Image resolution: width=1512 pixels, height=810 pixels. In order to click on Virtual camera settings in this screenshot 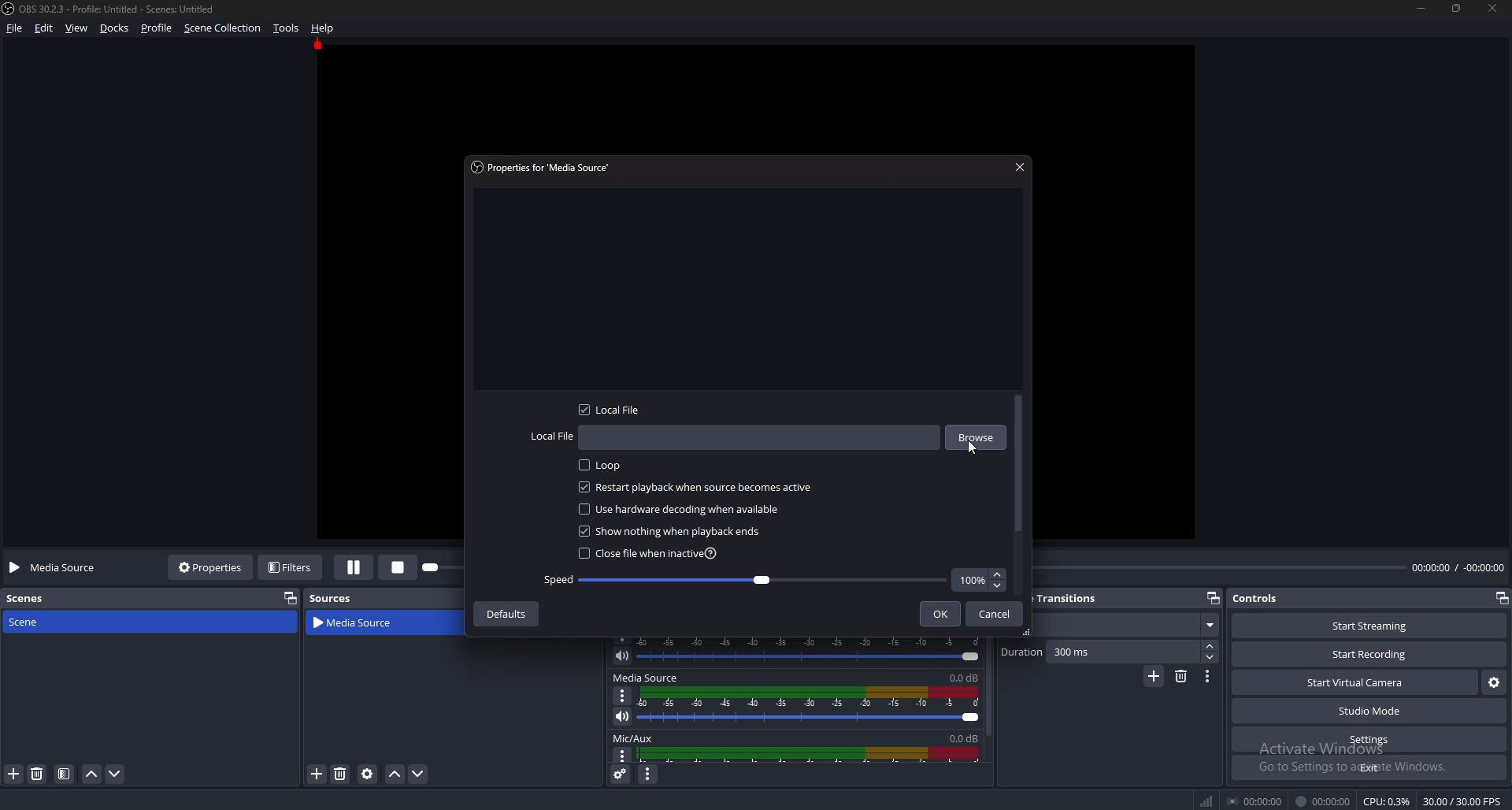, I will do `click(1494, 683)`.